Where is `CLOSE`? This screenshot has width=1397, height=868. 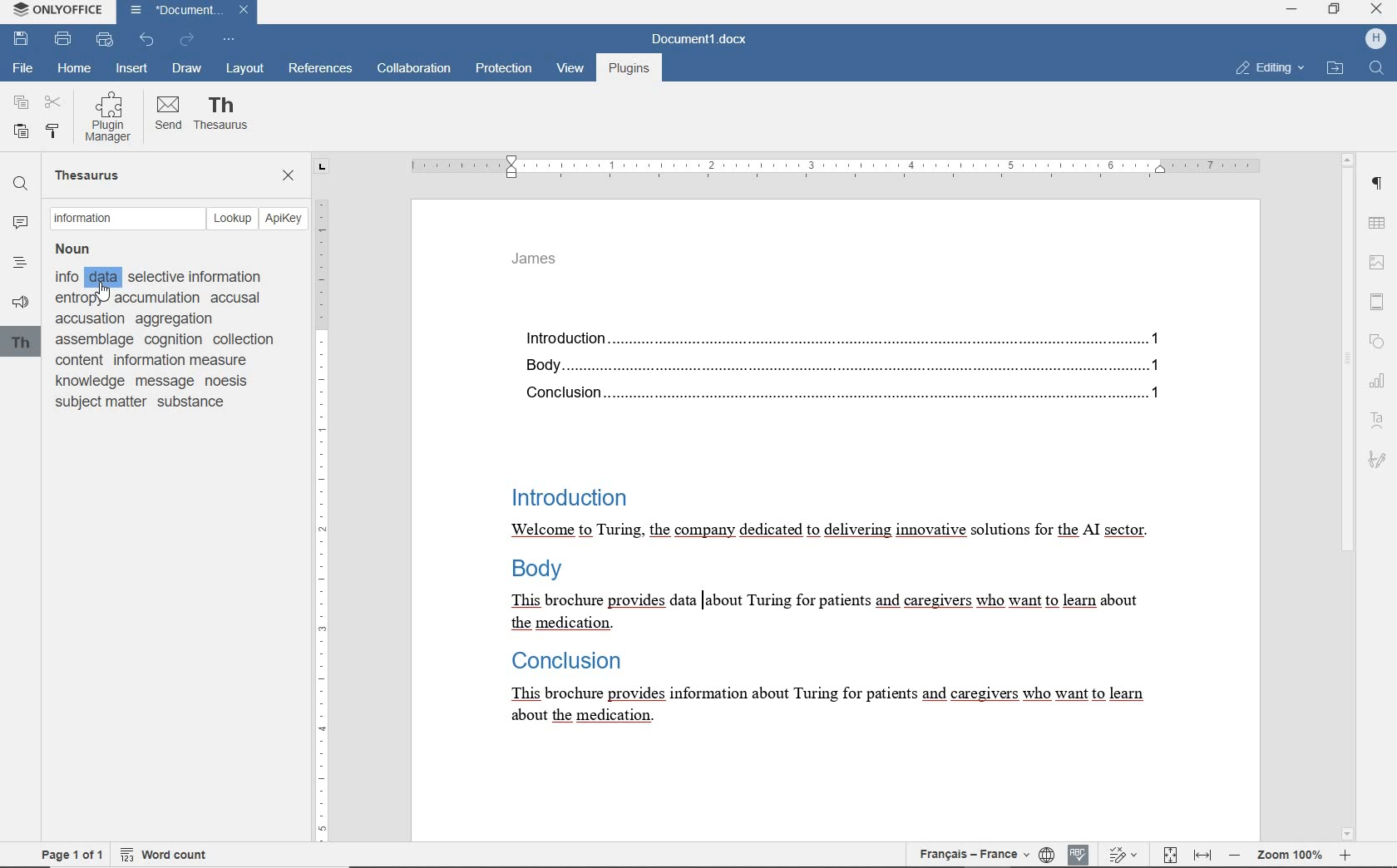
CLOSE is located at coordinates (289, 177).